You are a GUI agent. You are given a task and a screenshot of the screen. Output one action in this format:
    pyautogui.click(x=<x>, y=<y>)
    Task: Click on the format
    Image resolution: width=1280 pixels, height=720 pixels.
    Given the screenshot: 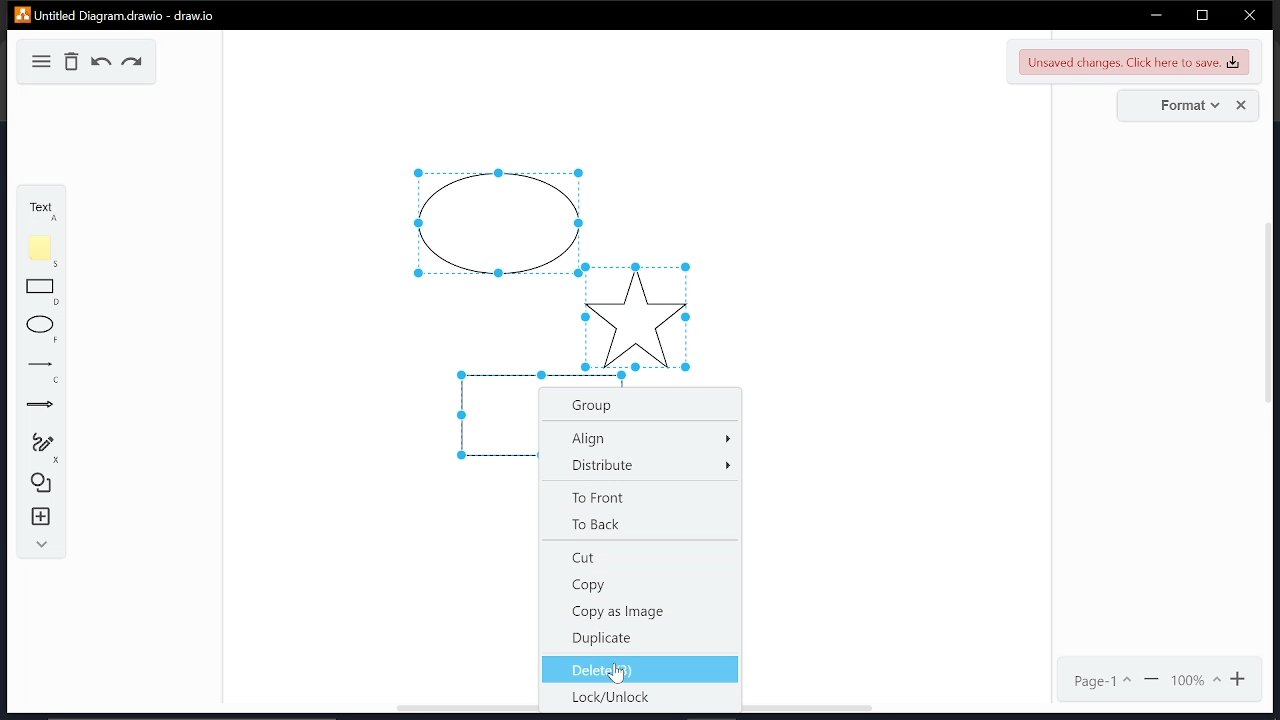 What is the action you would take?
    pyautogui.click(x=1185, y=106)
    